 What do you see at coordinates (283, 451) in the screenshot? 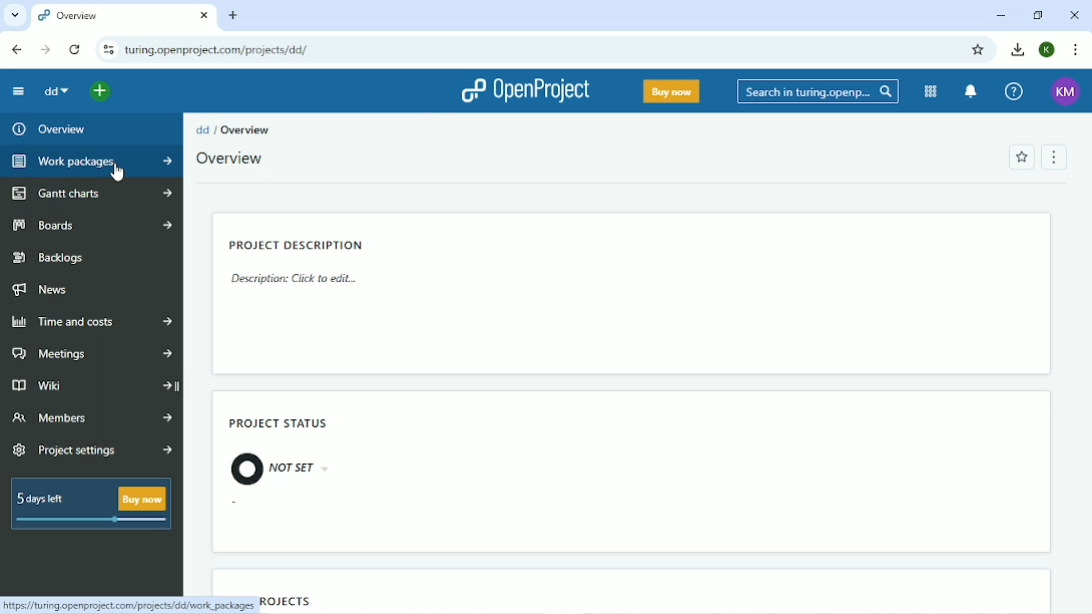
I see `Project status` at bounding box center [283, 451].